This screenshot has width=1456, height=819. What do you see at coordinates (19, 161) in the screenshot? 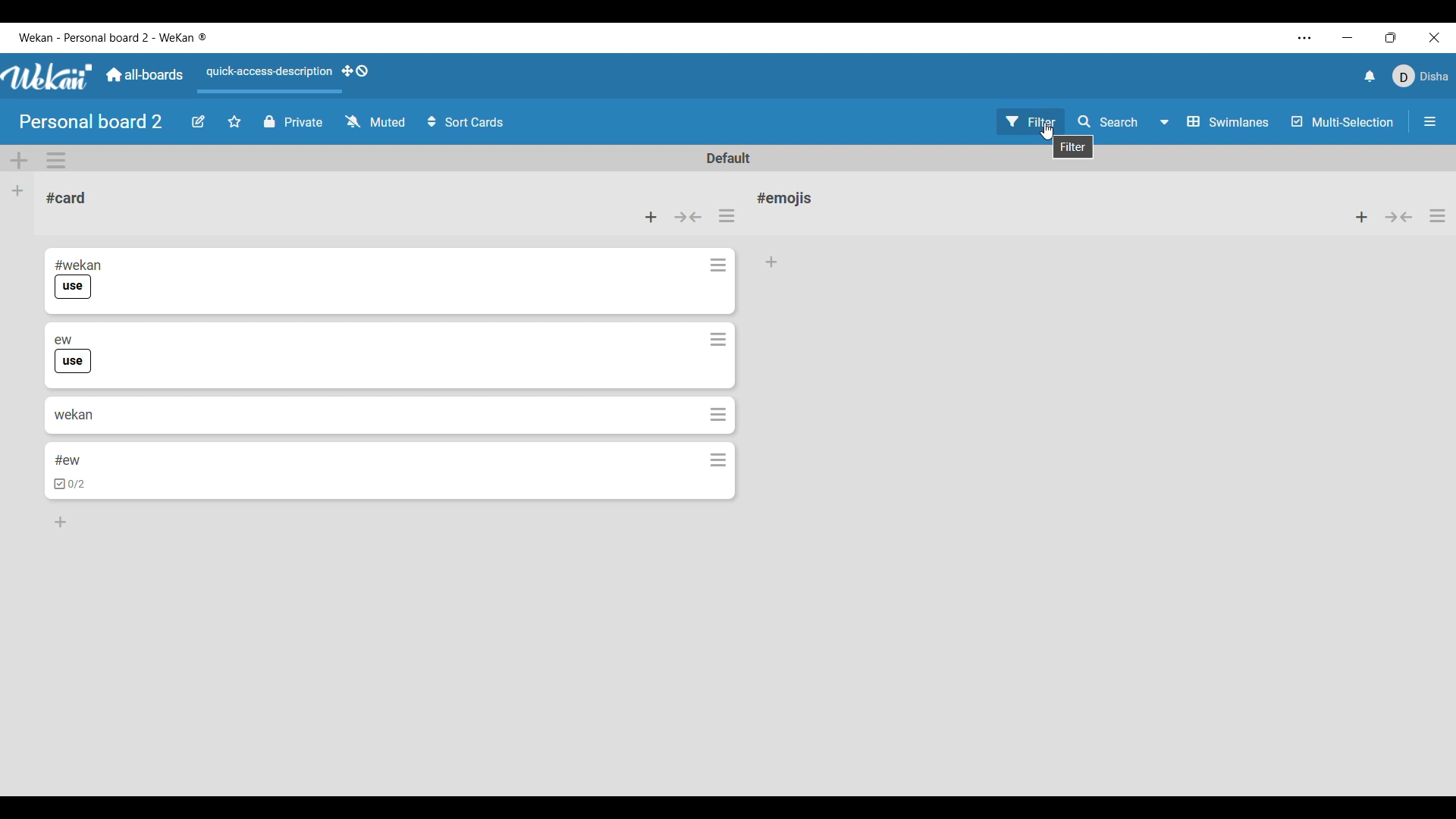
I see `Add swimlane` at bounding box center [19, 161].